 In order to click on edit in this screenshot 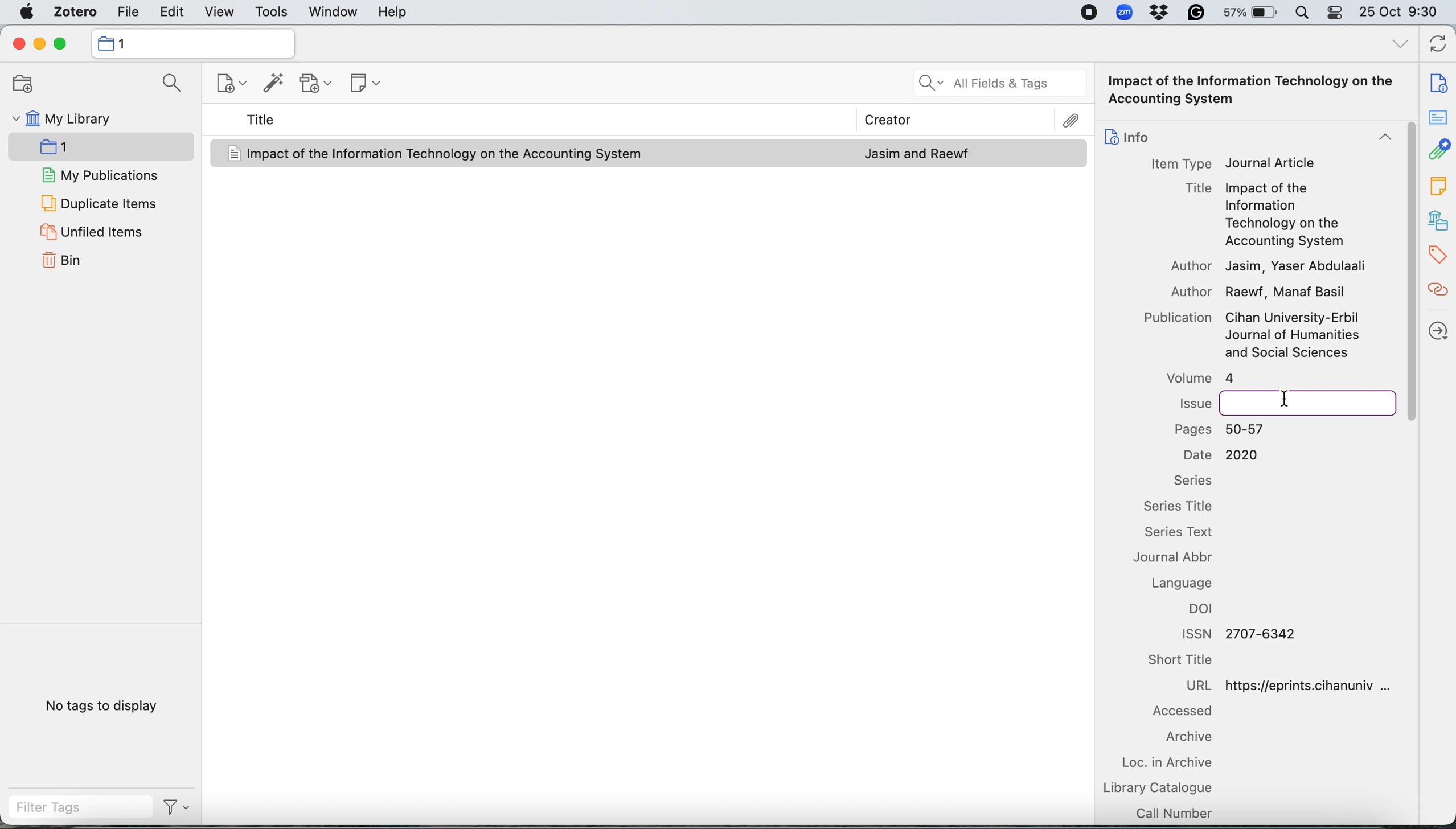, I will do `click(170, 10)`.